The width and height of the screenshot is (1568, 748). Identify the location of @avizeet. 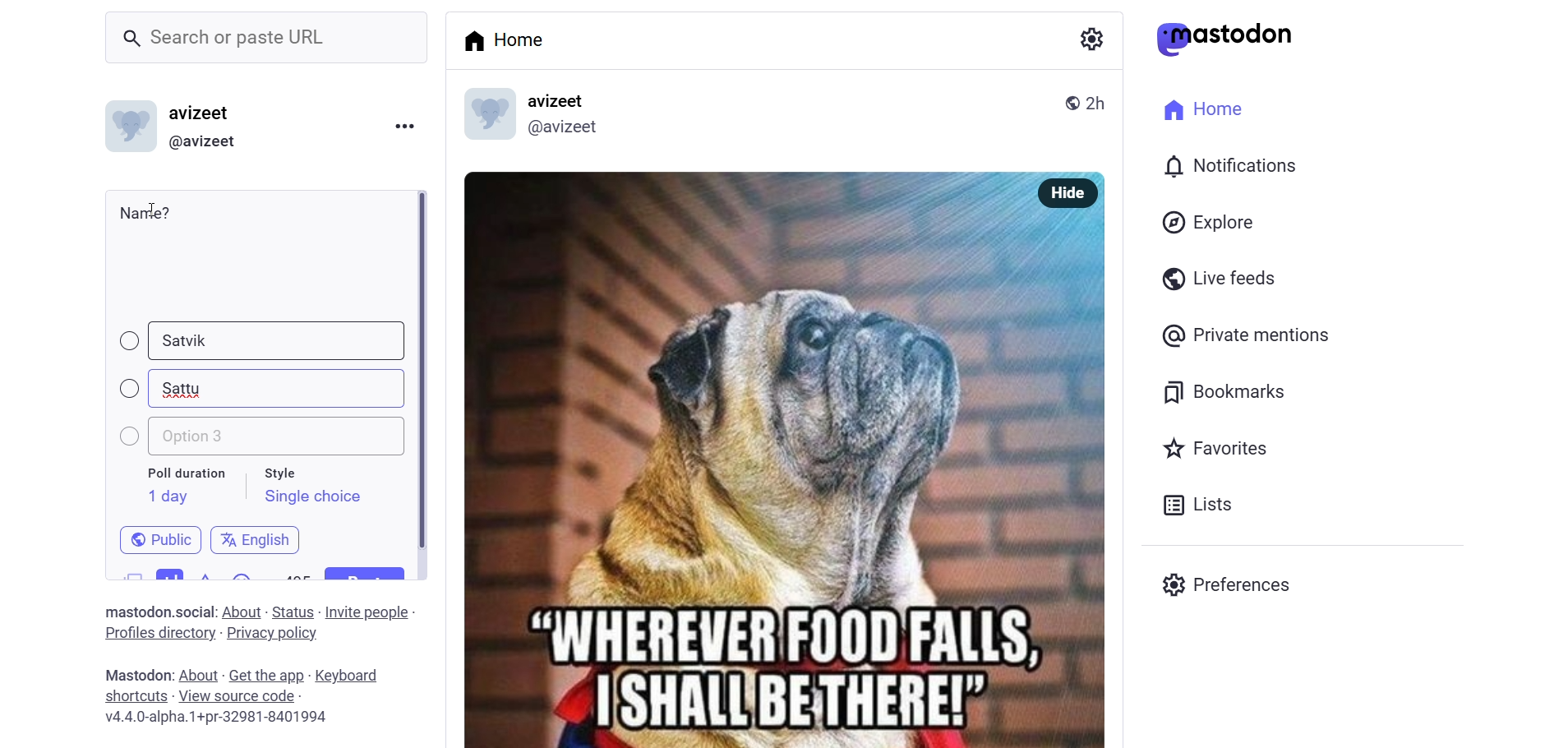
(202, 142).